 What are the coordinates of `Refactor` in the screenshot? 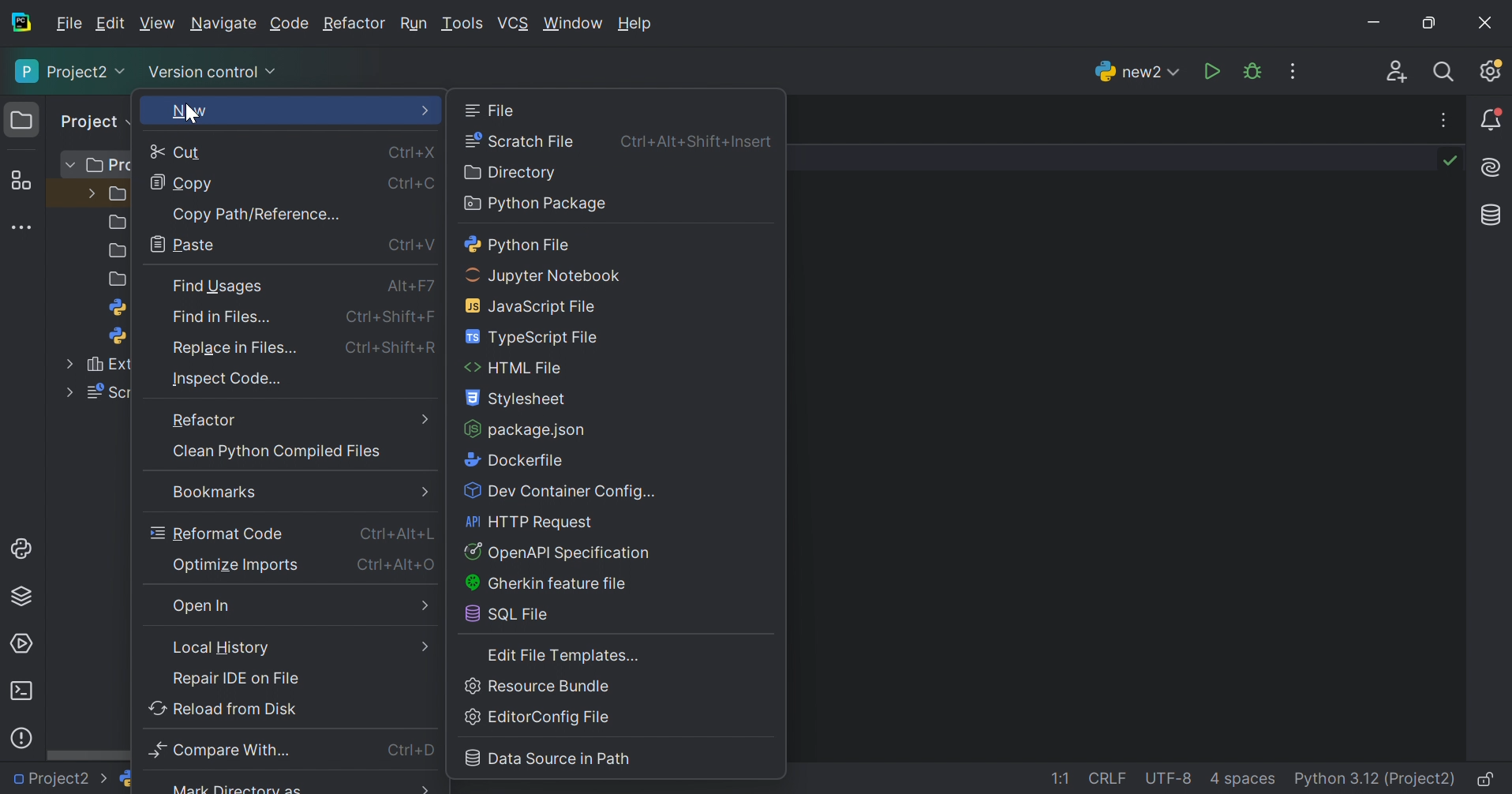 It's located at (354, 25).